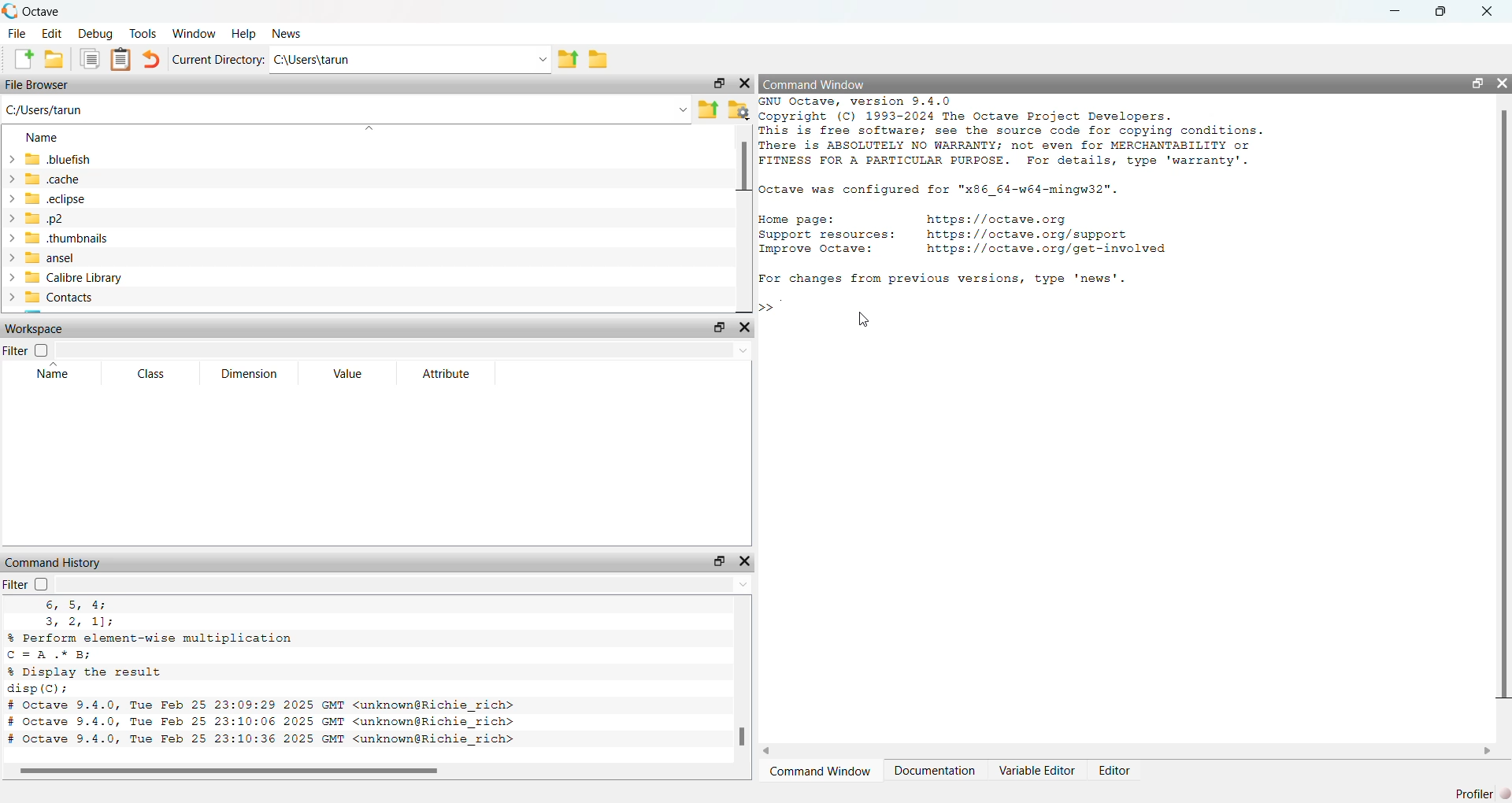 The image size is (1512, 803). I want to click on Debug, so click(93, 34).